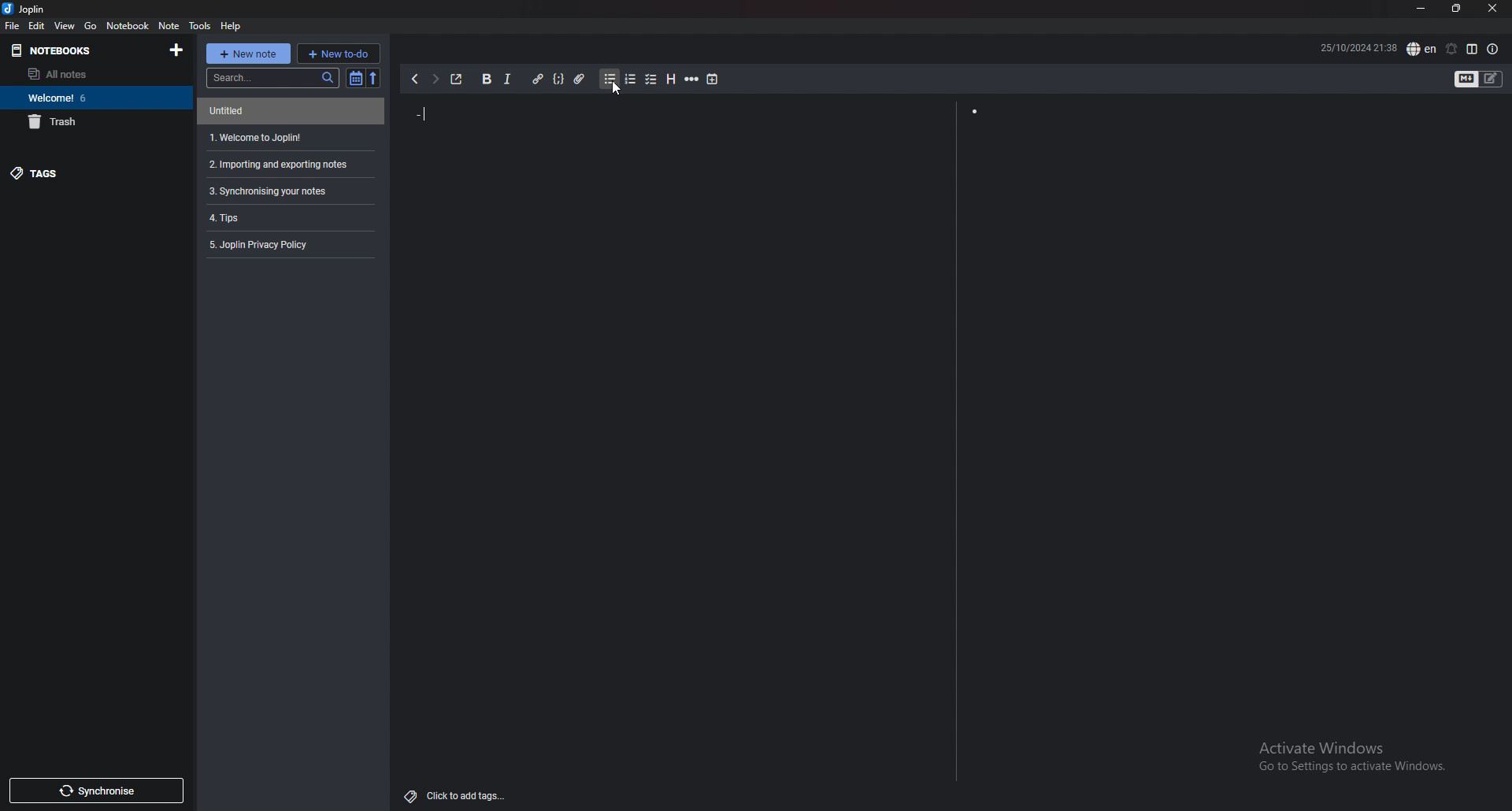 This screenshot has height=811, width=1512. Describe the element at coordinates (266, 243) in the screenshot. I see `Joplin privacy policy` at that location.